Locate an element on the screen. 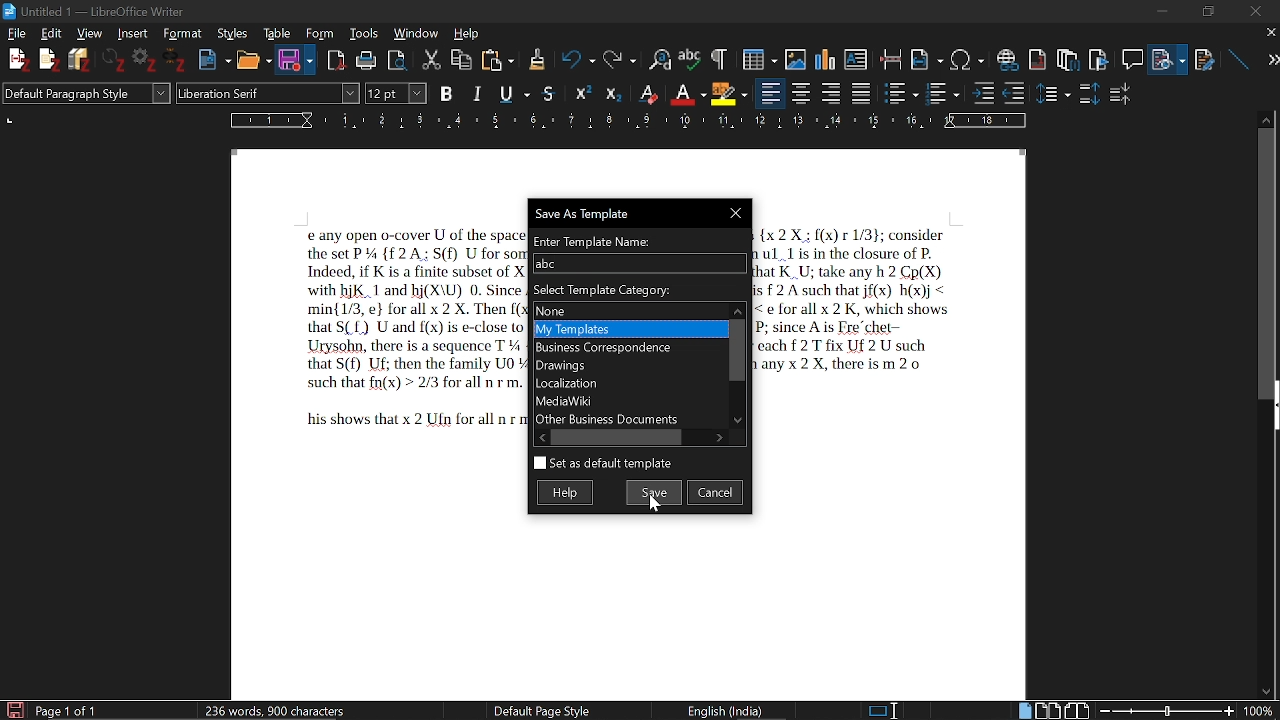 This screenshot has height=720, width=1280. Help is located at coordinates (569, 492).